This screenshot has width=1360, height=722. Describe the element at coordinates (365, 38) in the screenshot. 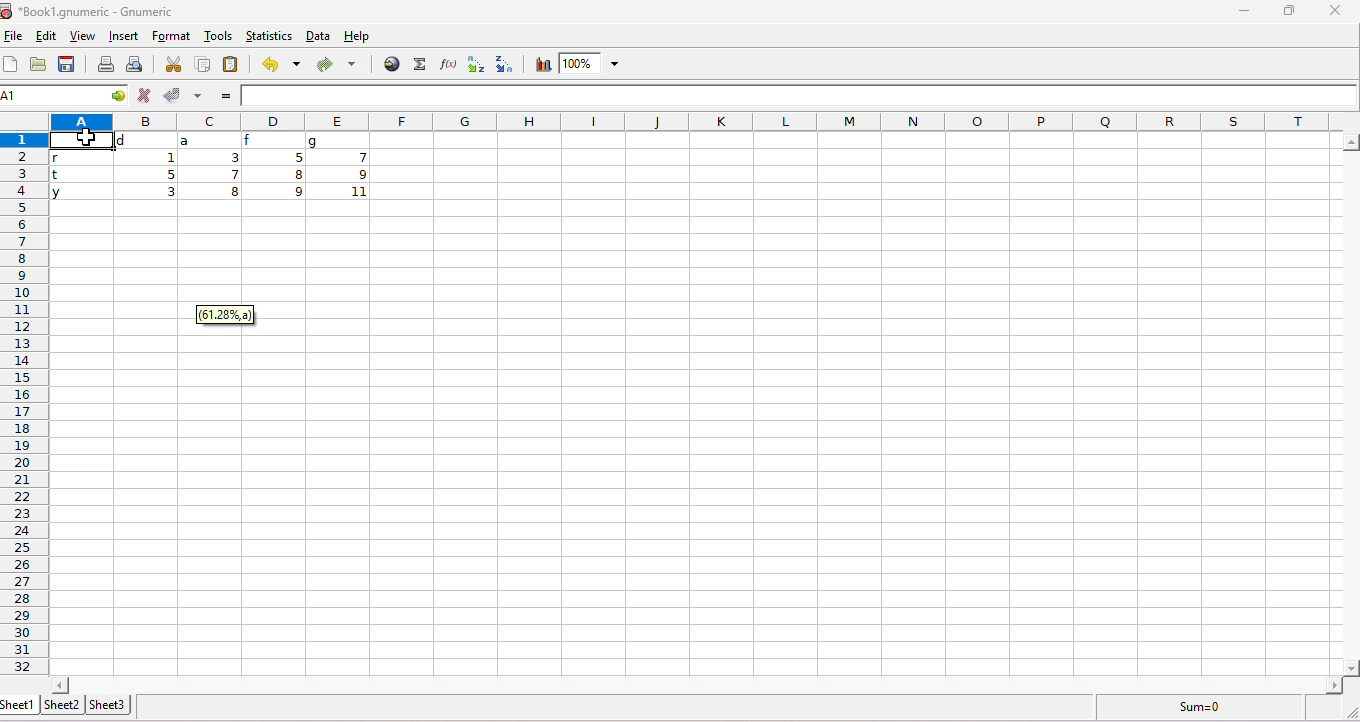

I see `help` at that location.